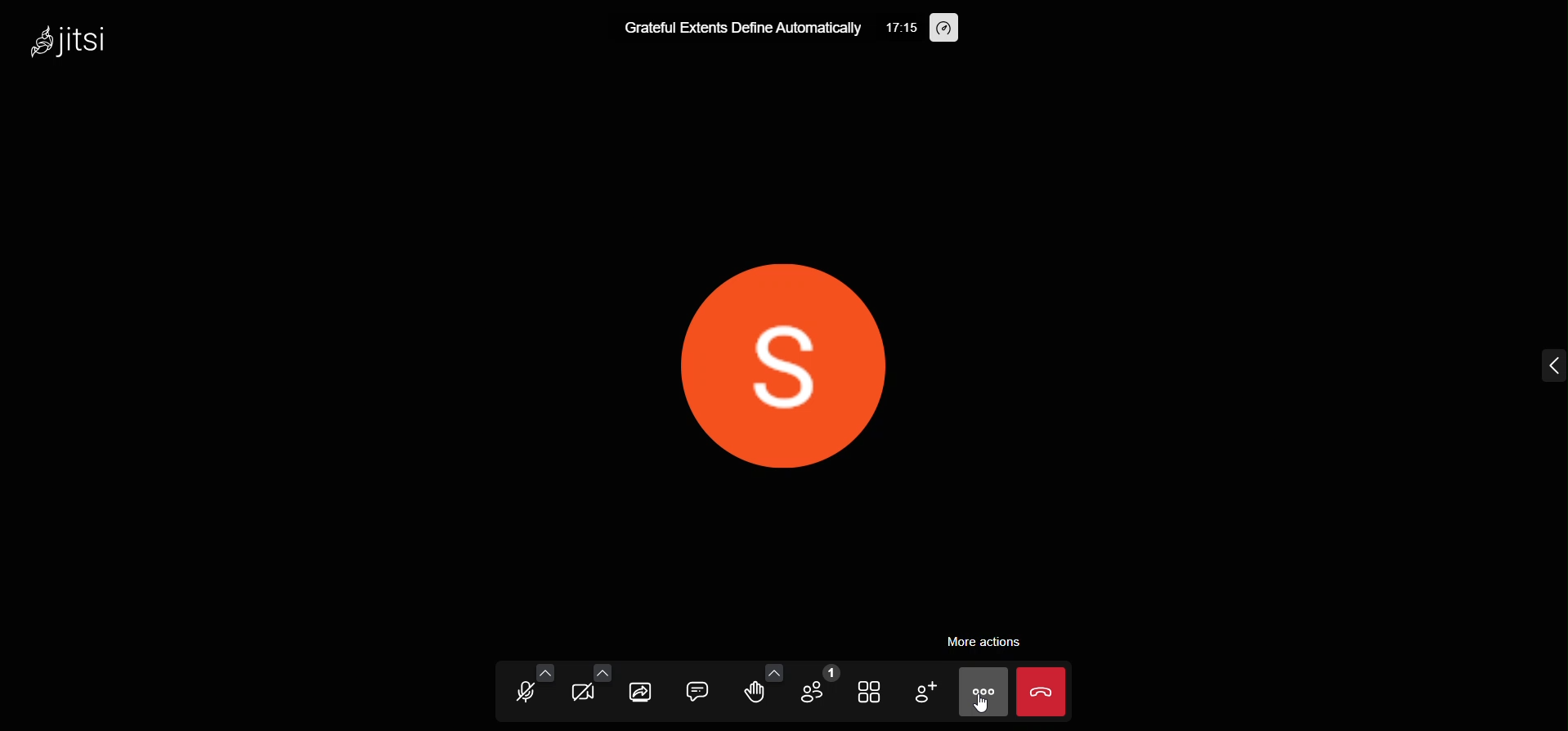 This screenshot has width=1568, height=731. Describe the element at coordinates (546, 670) in the screenshot. I see `audio setting` at that location.